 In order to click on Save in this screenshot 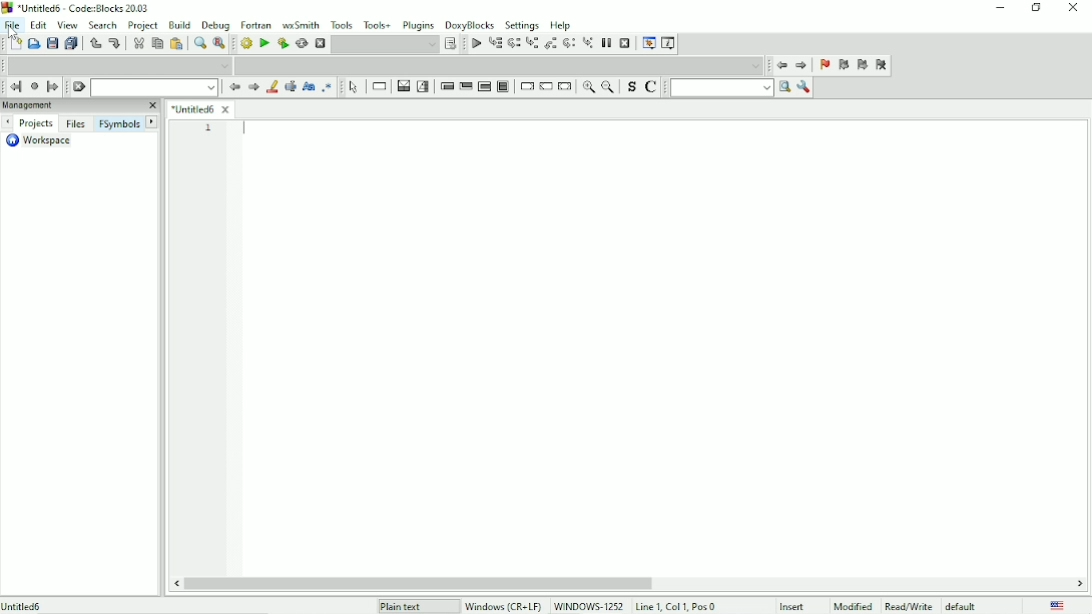, I will do `click(52, 43)`.